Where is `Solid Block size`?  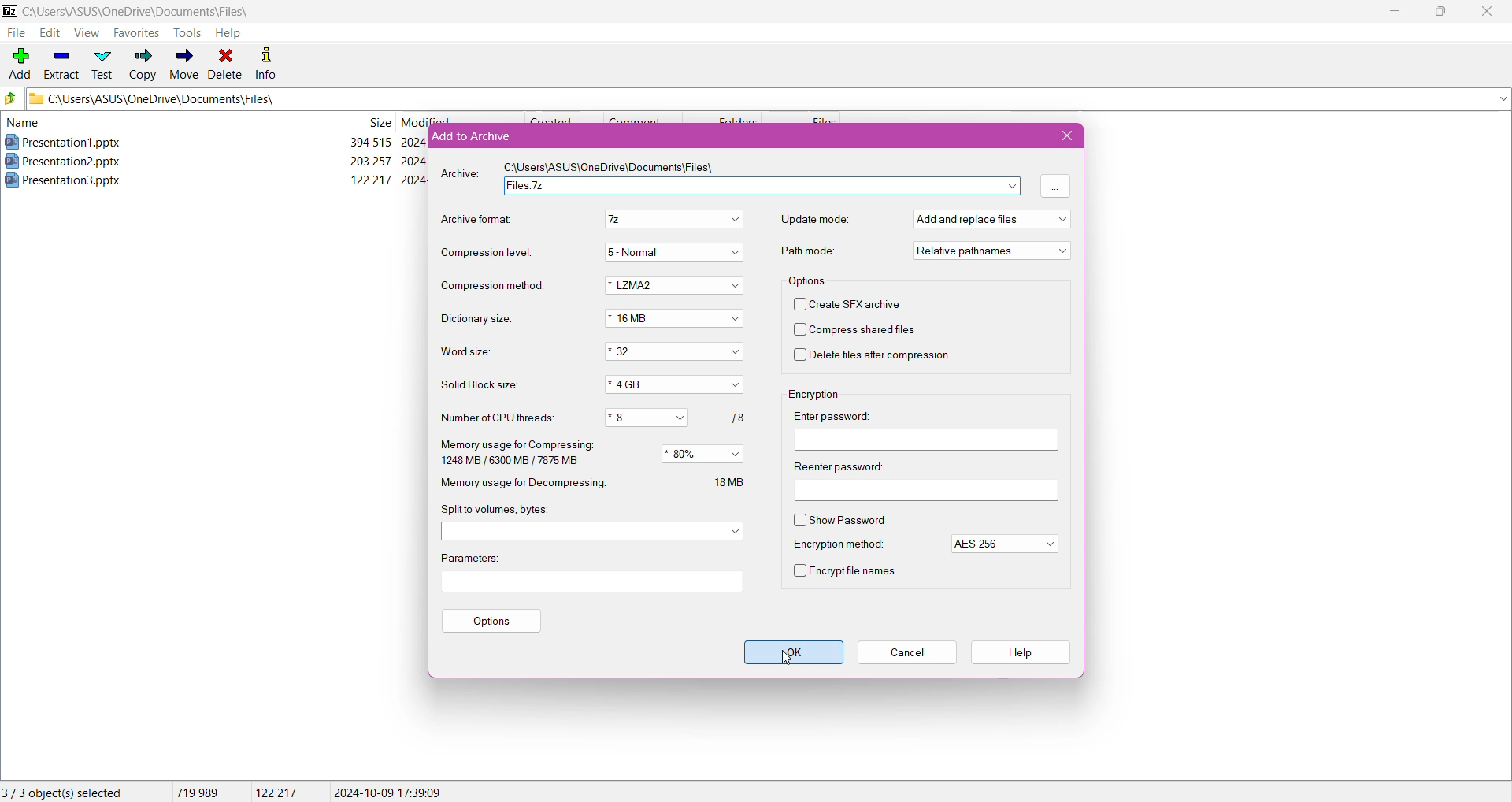
Solid Block size is located at coordinates (486, 384).